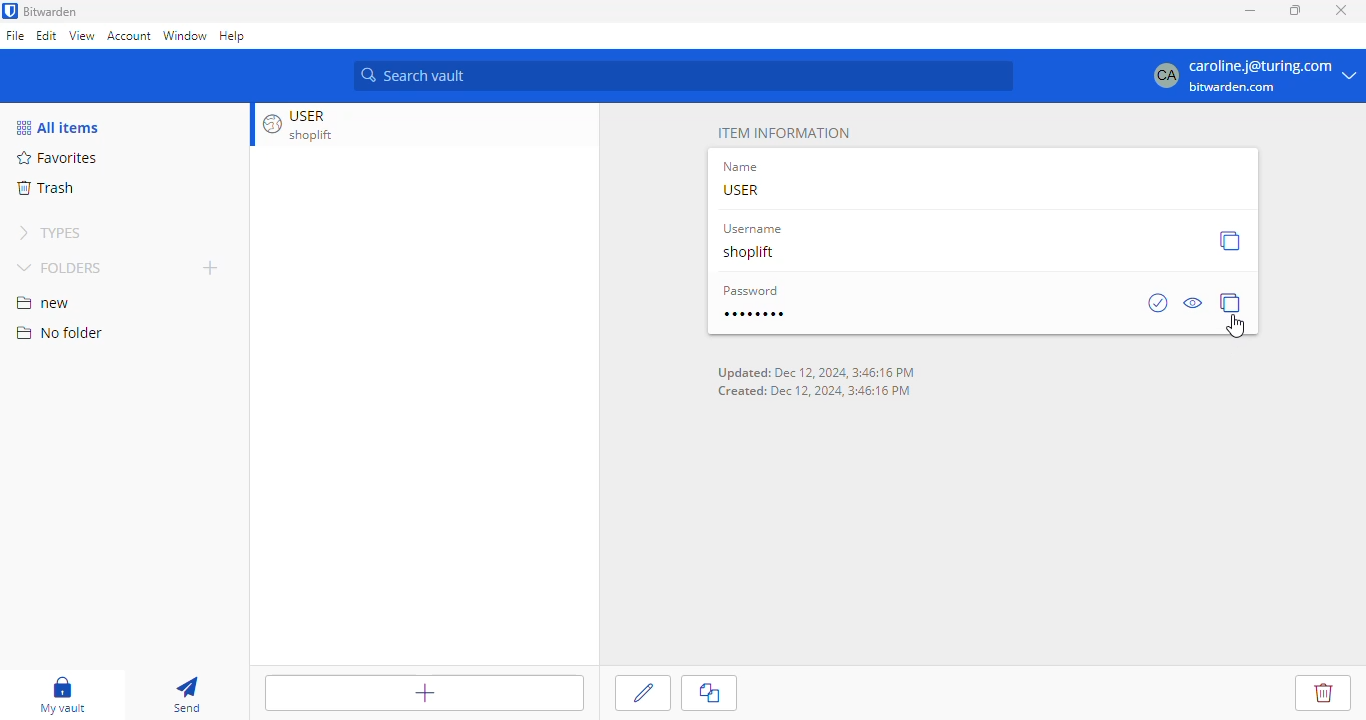 The image size is (1366, 720). What do you see at coordinates (711, 693) in the screenshot?
I see `clone` at bounding box center [711, 693].